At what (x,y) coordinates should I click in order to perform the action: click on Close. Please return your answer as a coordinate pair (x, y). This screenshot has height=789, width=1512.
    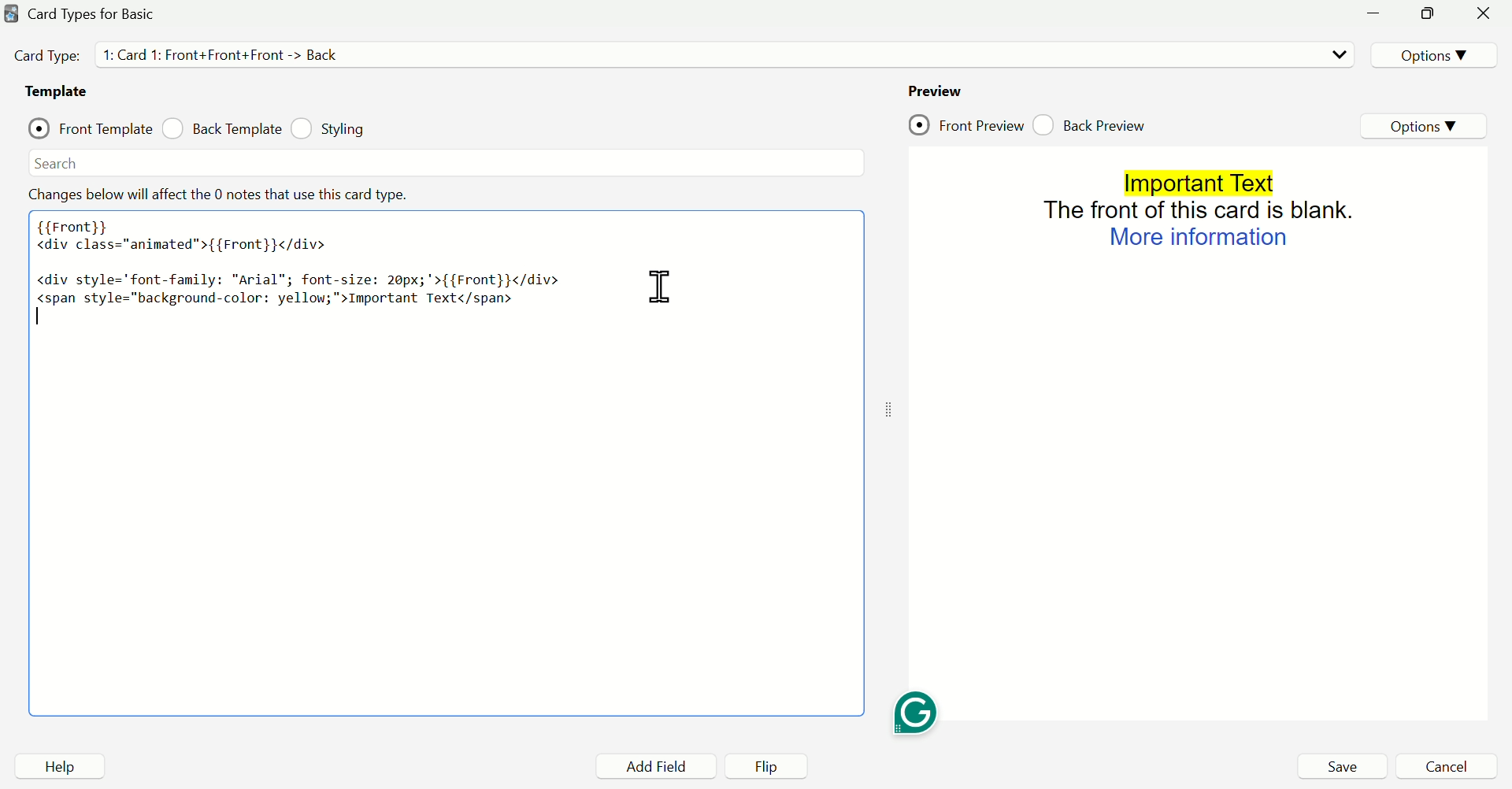
    Looking at the image, I should click on (1484, 14).